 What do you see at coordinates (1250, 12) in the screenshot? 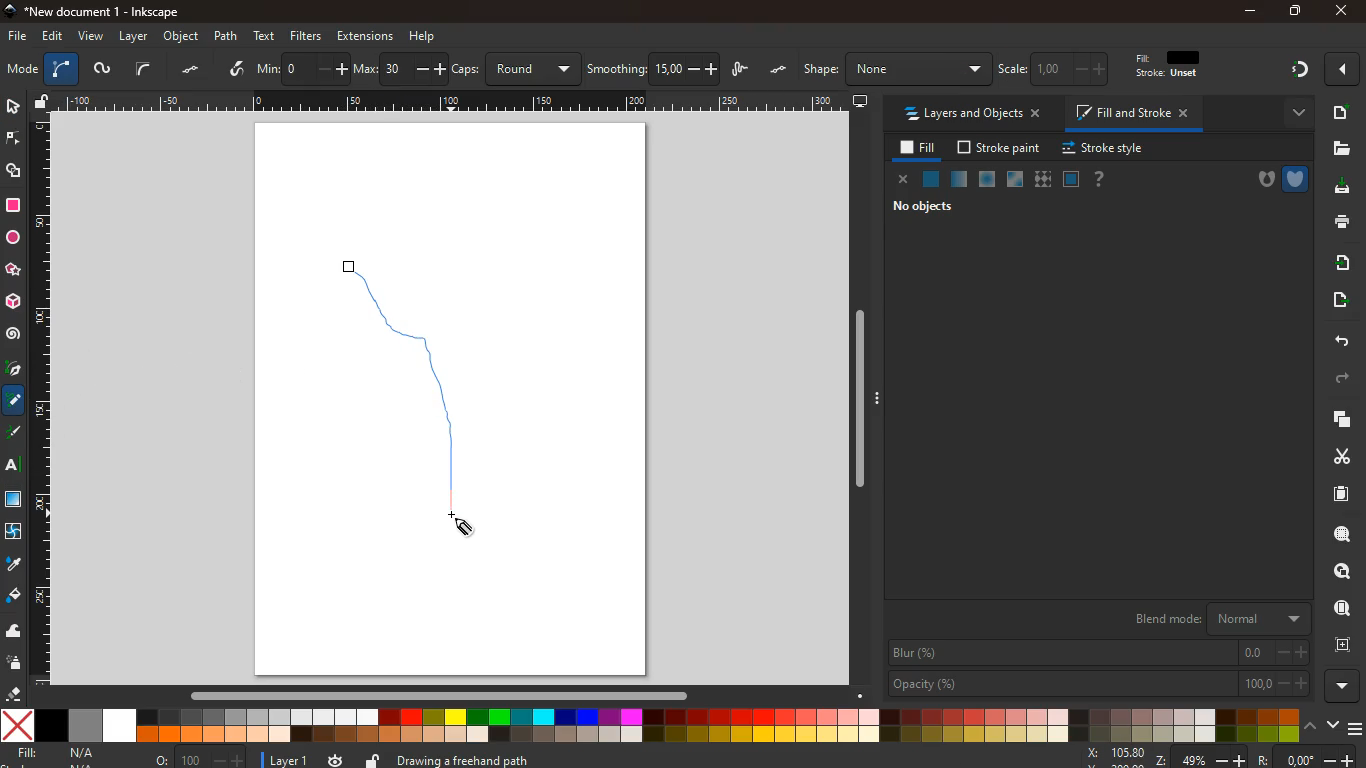
I see `minimize` at bounding box center [1250, 12].